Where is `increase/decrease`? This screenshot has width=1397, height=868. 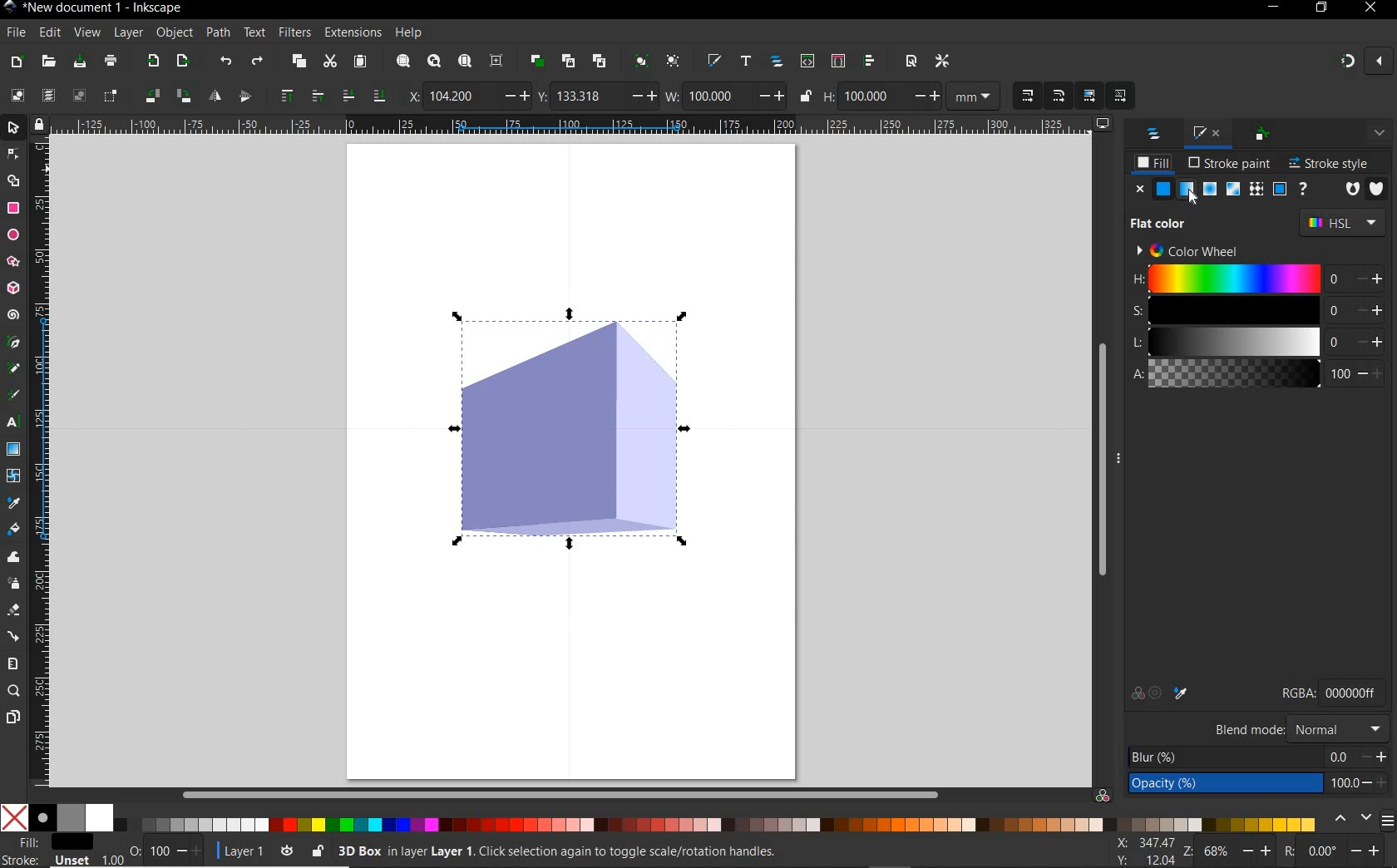 increase/decrease is located at coordinates (1369, 851).